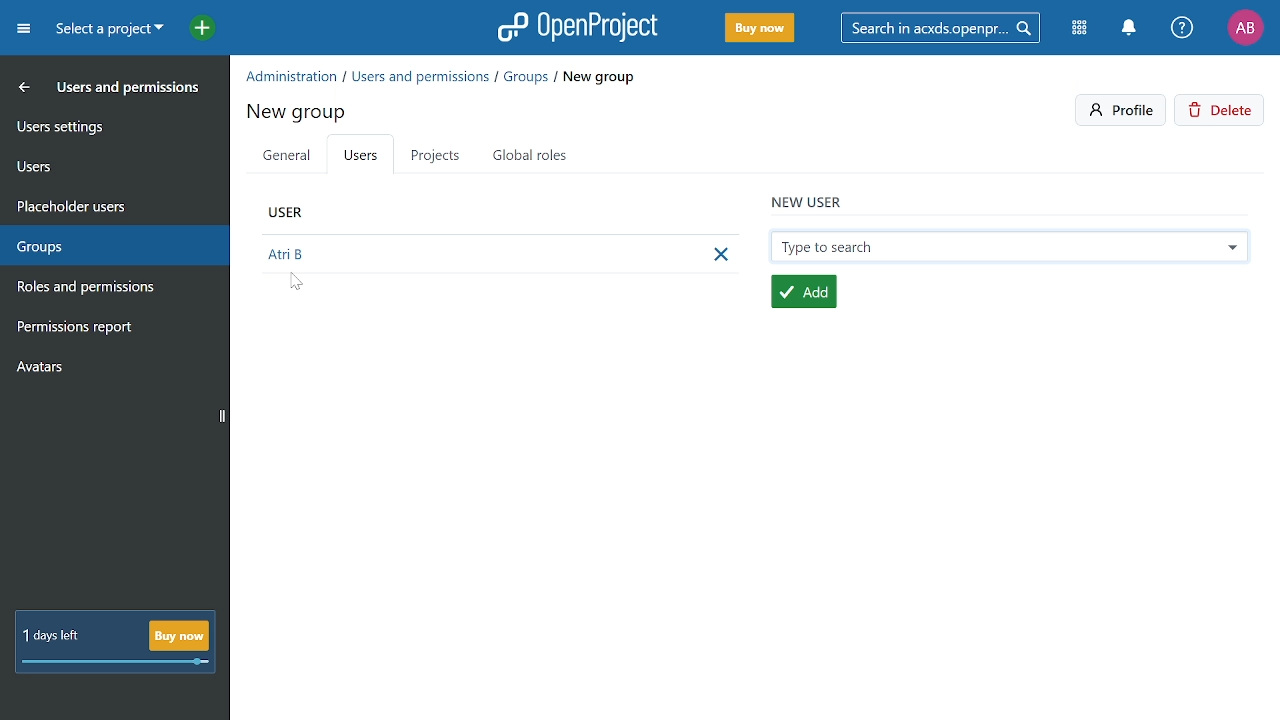  I want to click on Groups, so click(109, 242).